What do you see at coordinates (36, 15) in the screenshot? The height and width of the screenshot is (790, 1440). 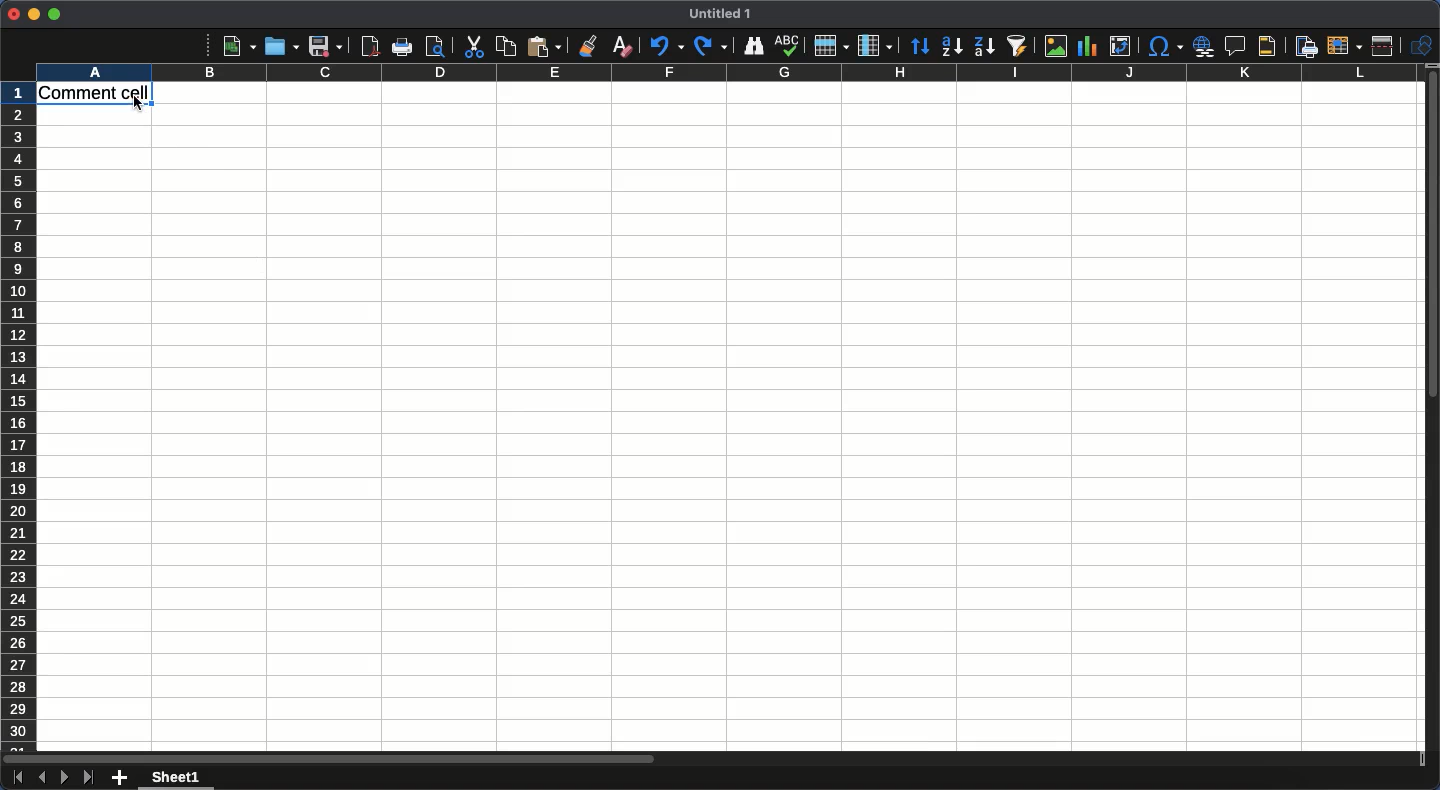 I see `Minimize` at bounding box center [36, 15].